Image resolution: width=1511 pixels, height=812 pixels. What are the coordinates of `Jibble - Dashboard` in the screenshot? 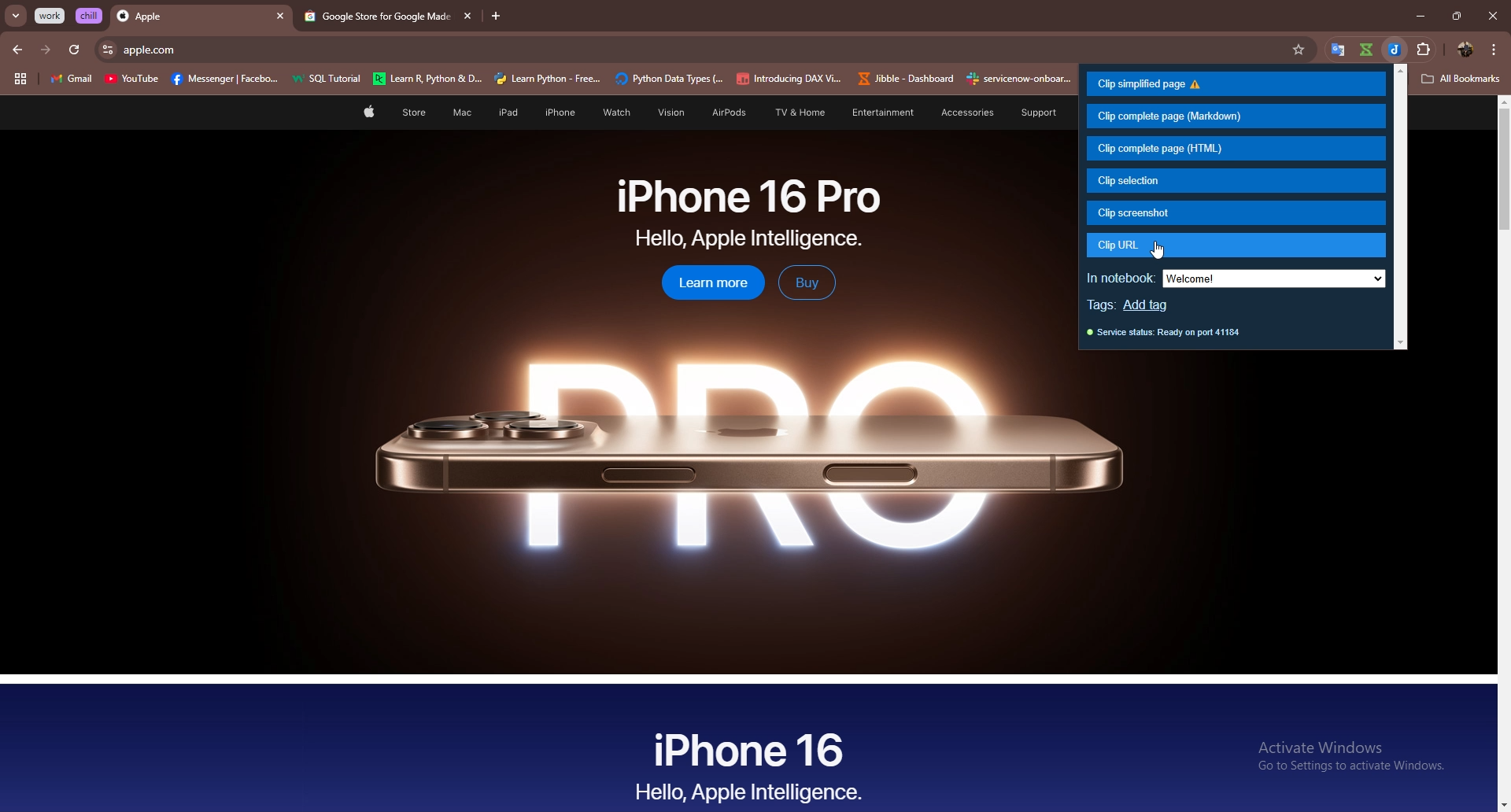 It's located at (903, 79).